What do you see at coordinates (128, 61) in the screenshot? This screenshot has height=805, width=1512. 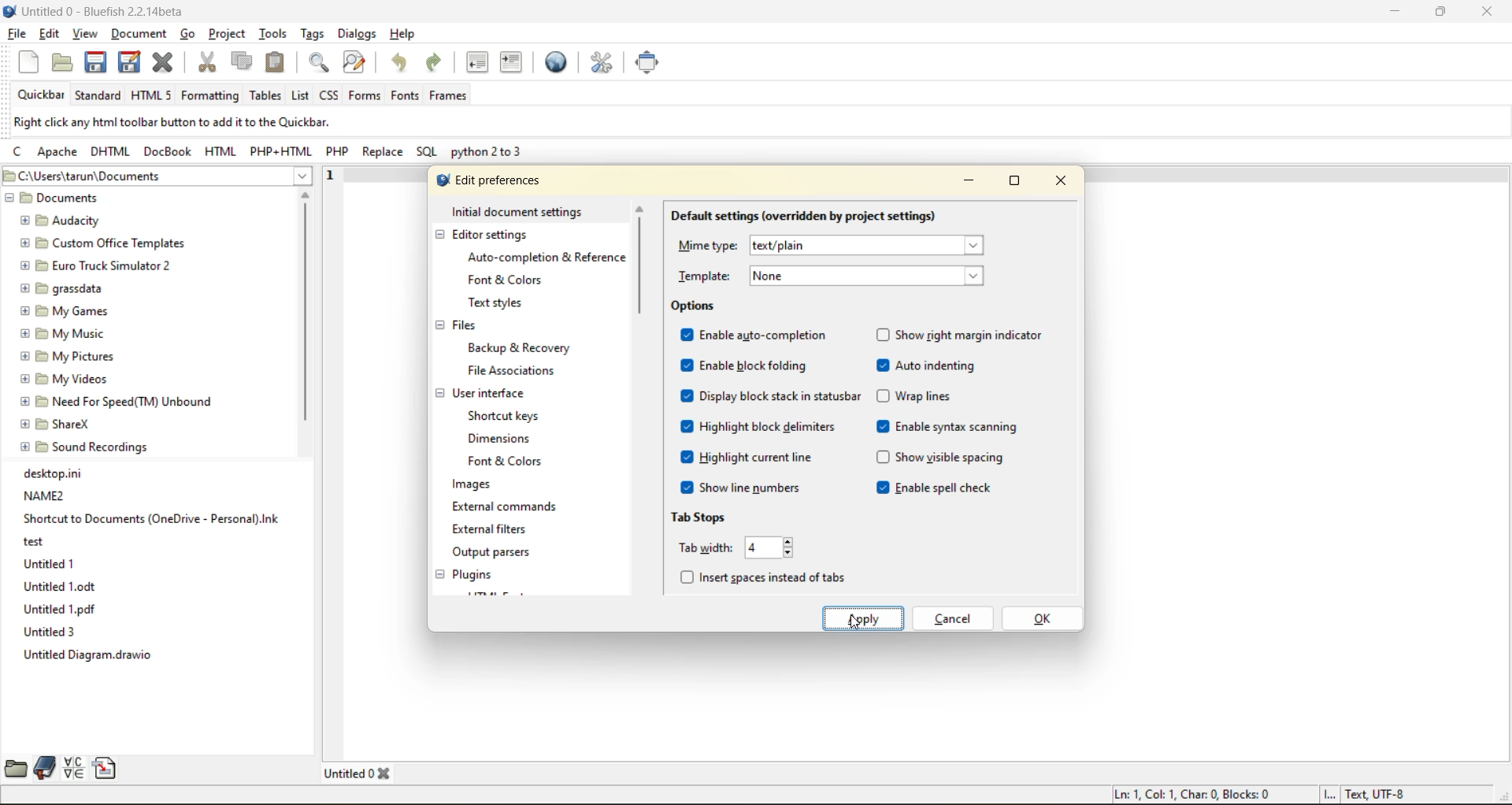 I see `save all` at bounding box center [128, 61].